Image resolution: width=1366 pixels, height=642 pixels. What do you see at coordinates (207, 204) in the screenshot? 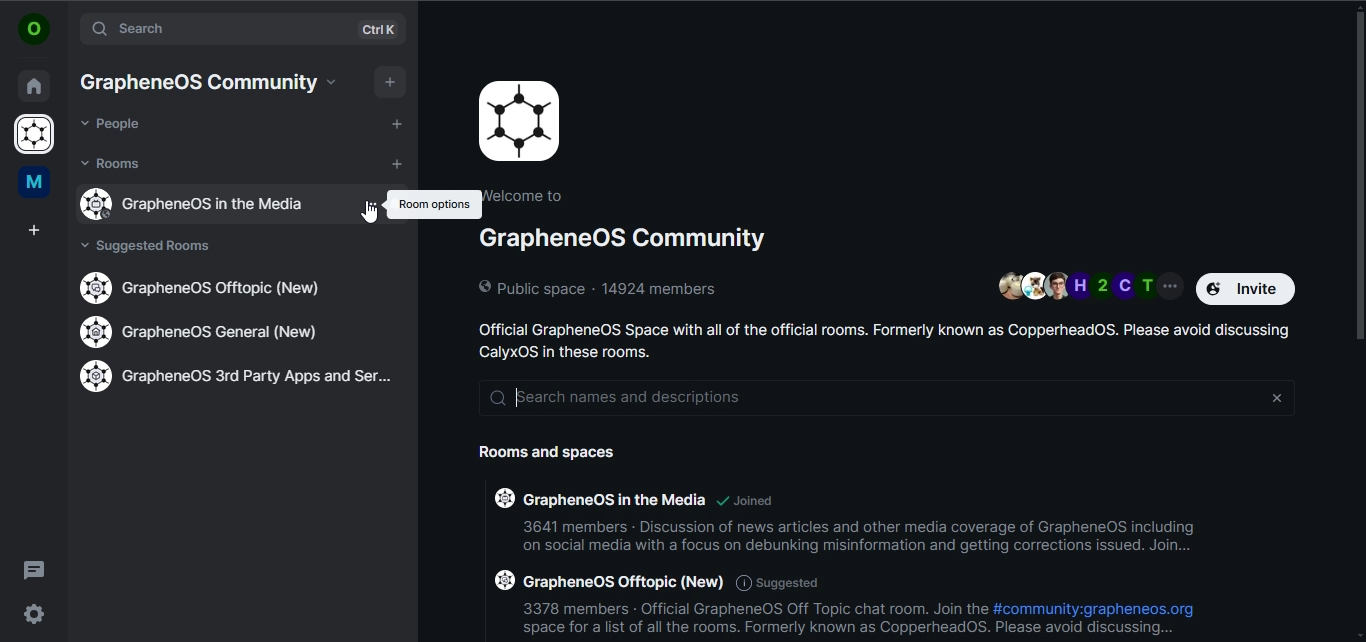
I see `grapheneOS in the media` at bounding box center [207, 204].